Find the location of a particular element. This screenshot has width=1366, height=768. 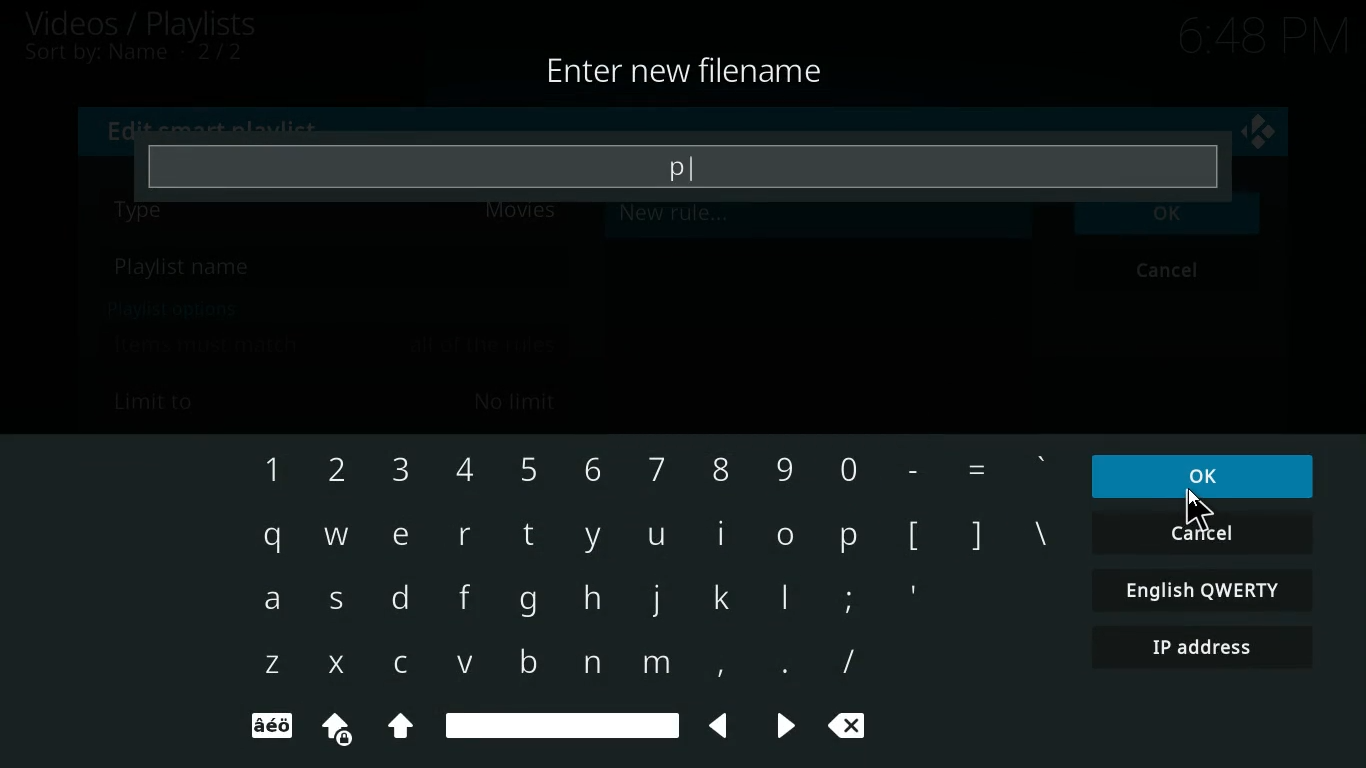

type  is located at coordinates (339, 221).